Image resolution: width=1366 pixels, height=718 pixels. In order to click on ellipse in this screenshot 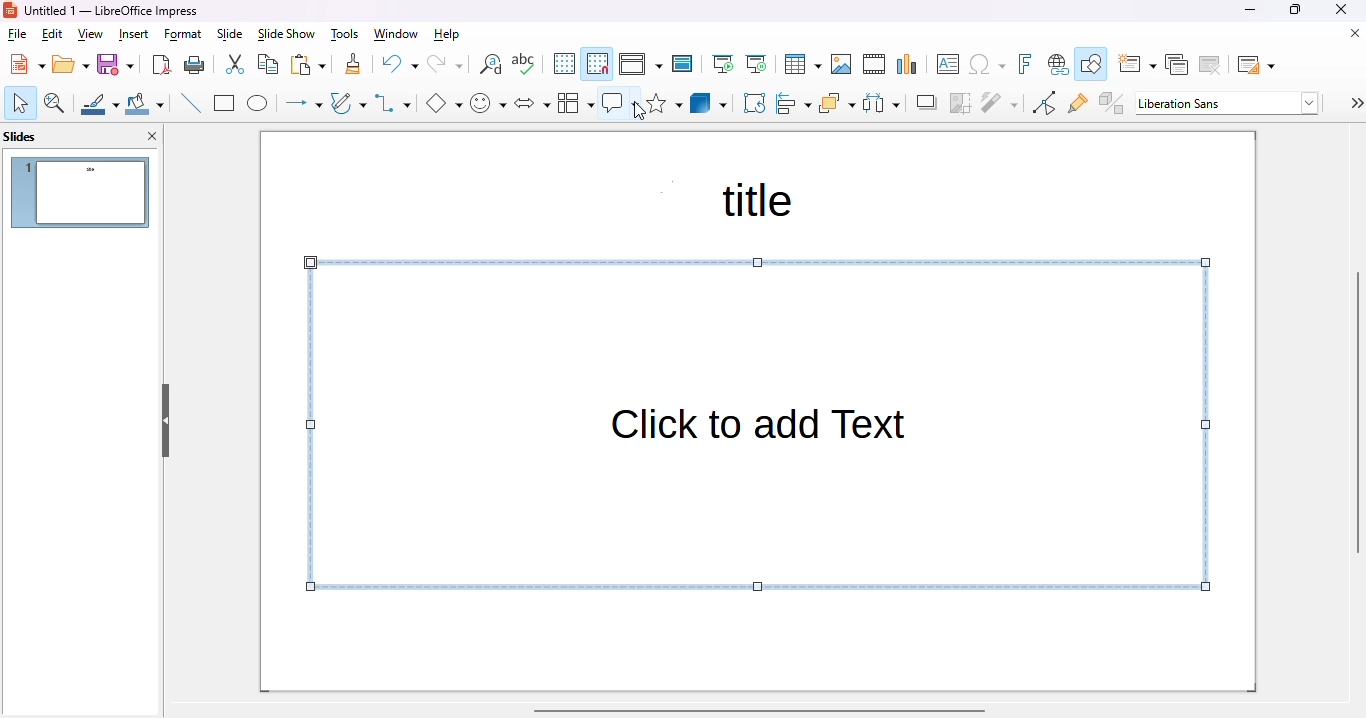, I will do `click(258, 104)`.